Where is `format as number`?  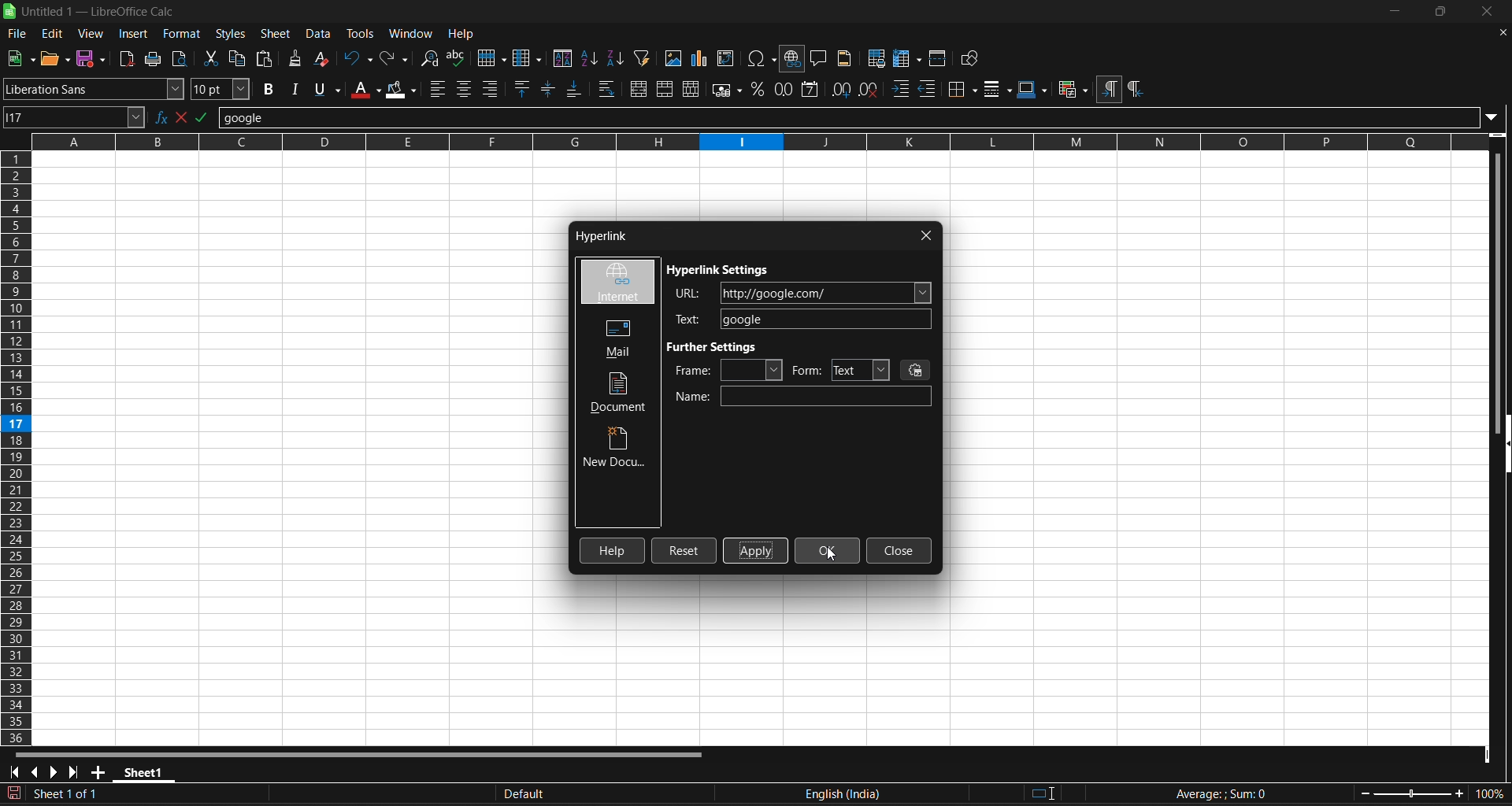
format as number is located at coordinates (783, 90).